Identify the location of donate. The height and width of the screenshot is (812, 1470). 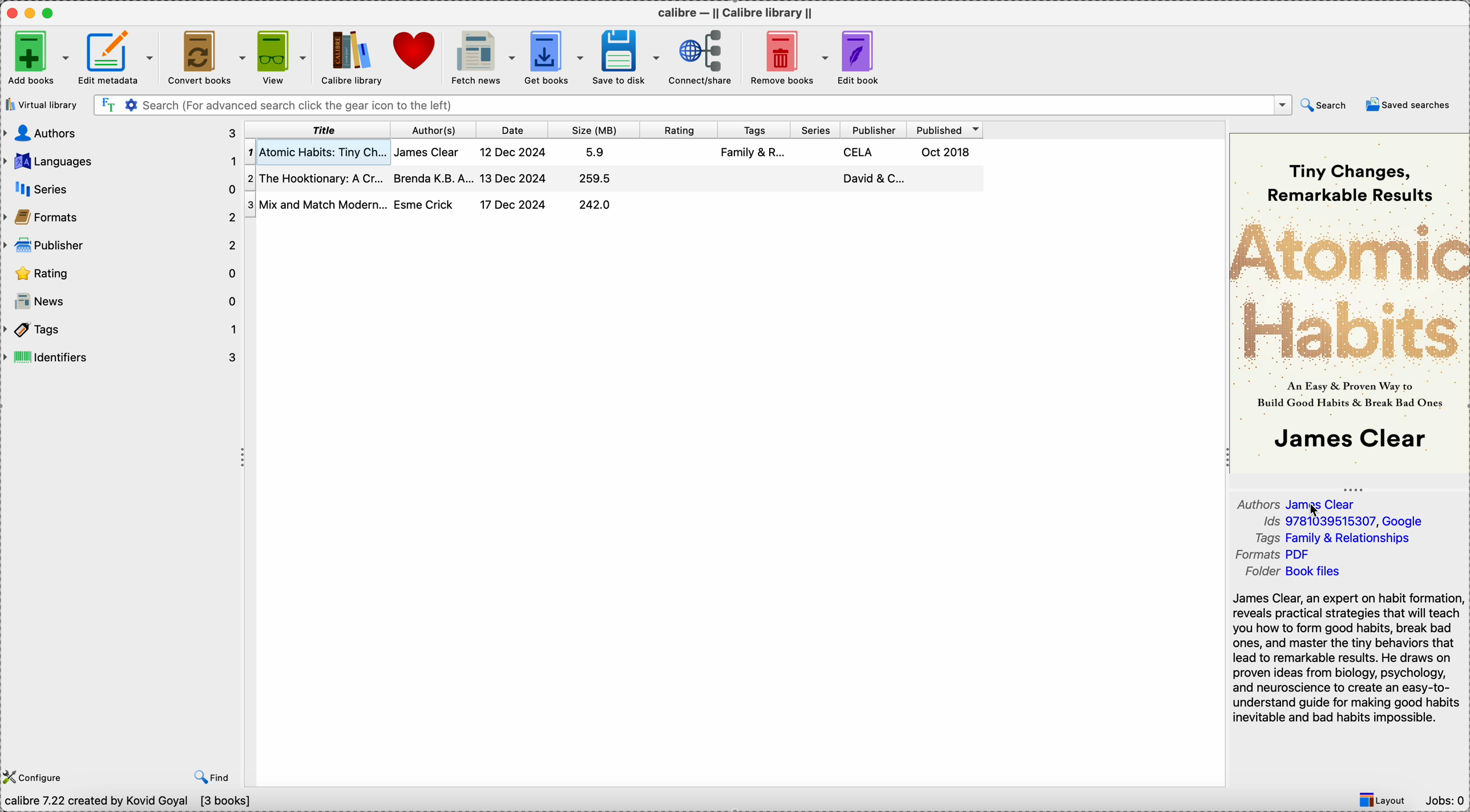
(418, 52).